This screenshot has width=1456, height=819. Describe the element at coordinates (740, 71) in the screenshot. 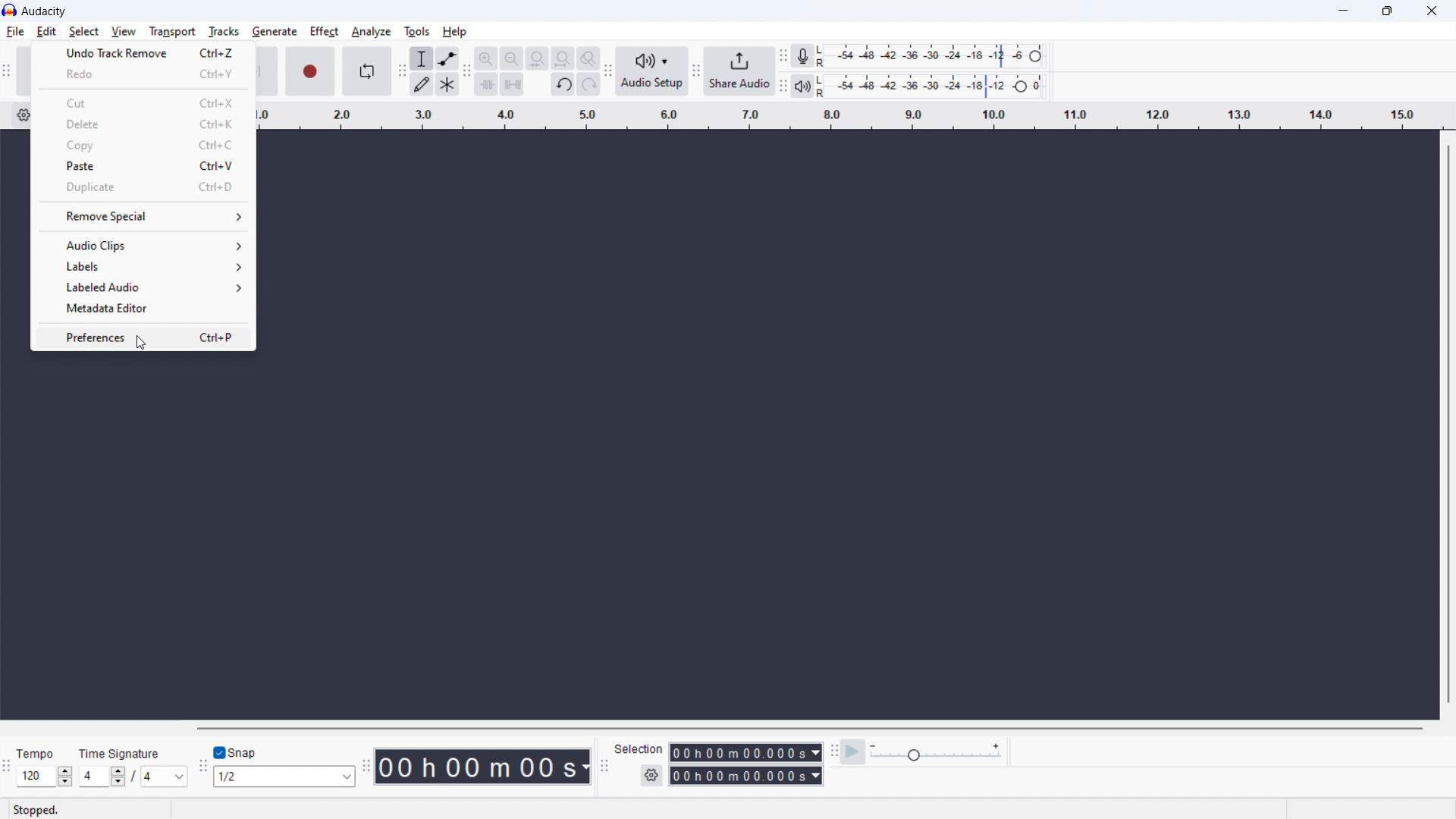

I see `share audio` at that location.